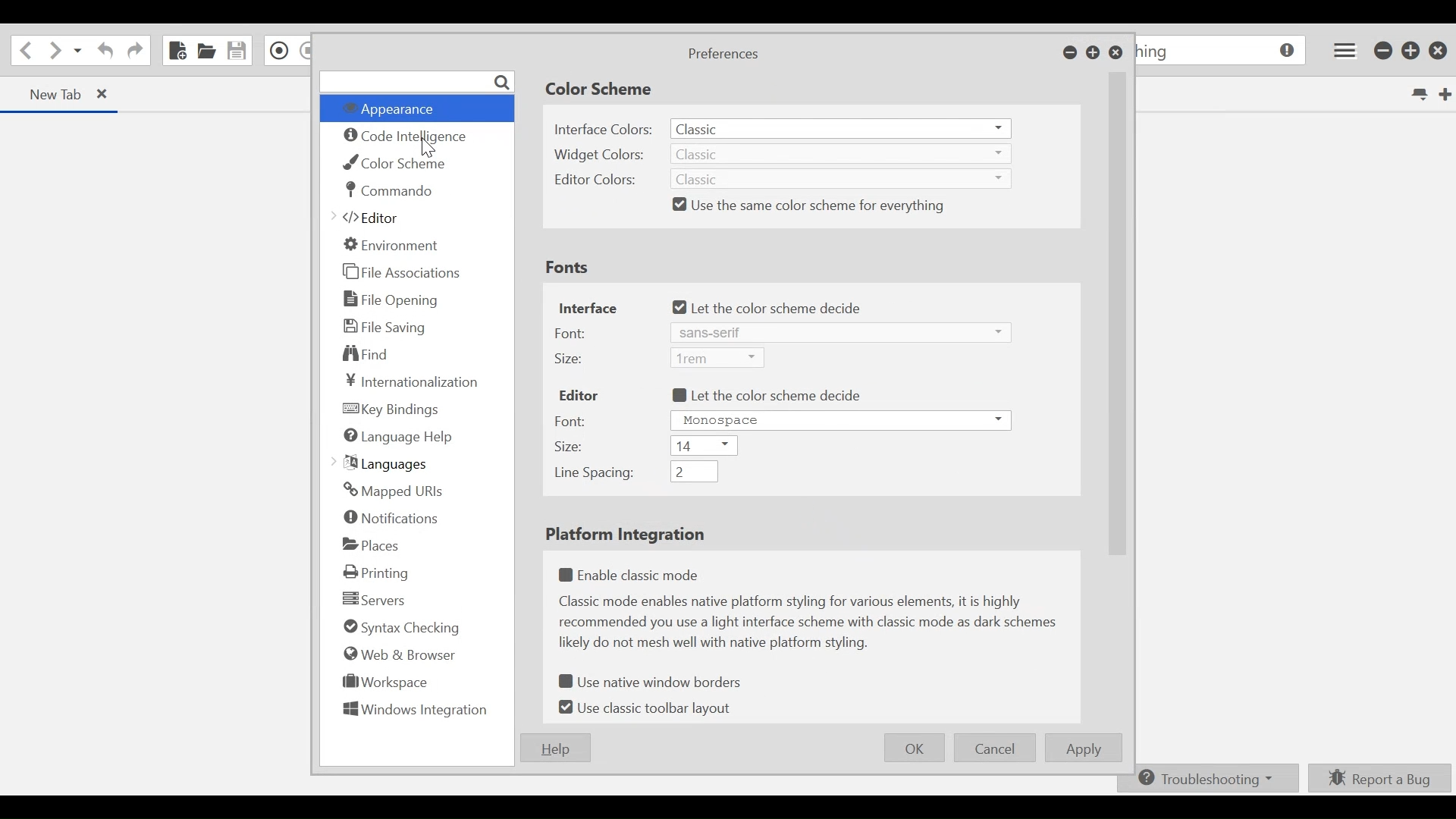 Image resolution: width=1456 pixels, height=819 pixels. I want to click on File Opening, so click(394, 299).